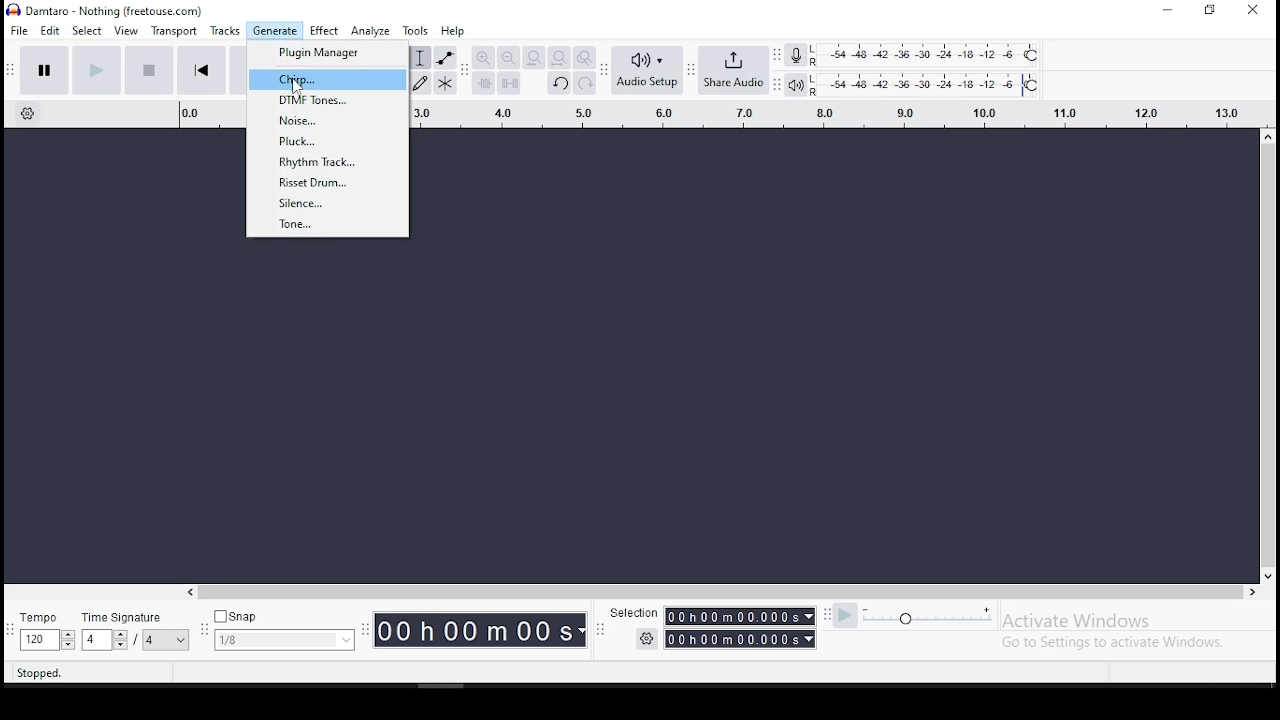 This screenshot has width=1280, height=720. Describe the element at coordinates (325, 120) in the screenshot. I see `noise` at that location.